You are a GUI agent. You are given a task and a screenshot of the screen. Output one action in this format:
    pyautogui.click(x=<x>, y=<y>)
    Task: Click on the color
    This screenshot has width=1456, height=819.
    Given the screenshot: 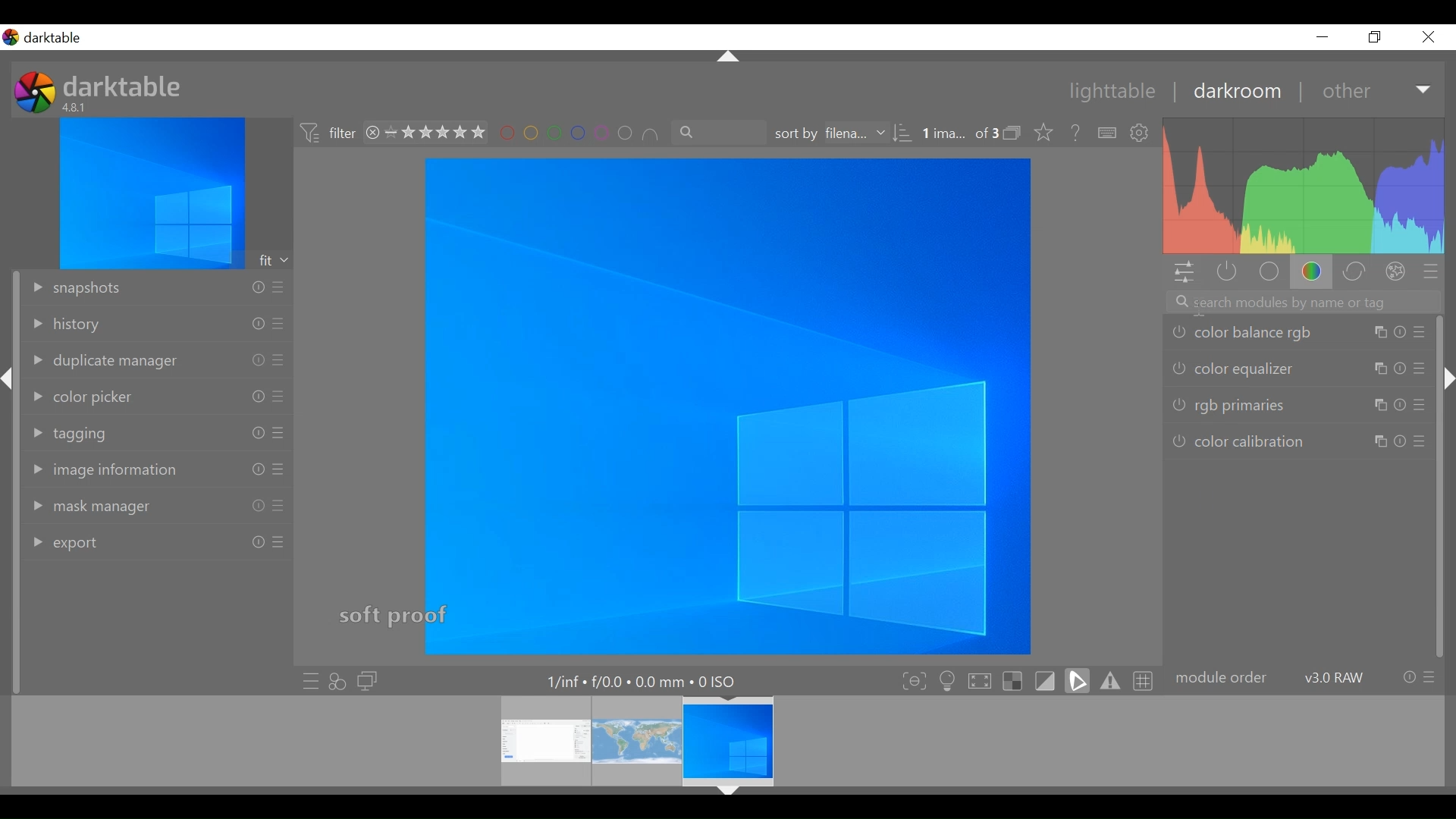 What is the action you would take?
    pyautogui.click(x=1313, y=271)
    